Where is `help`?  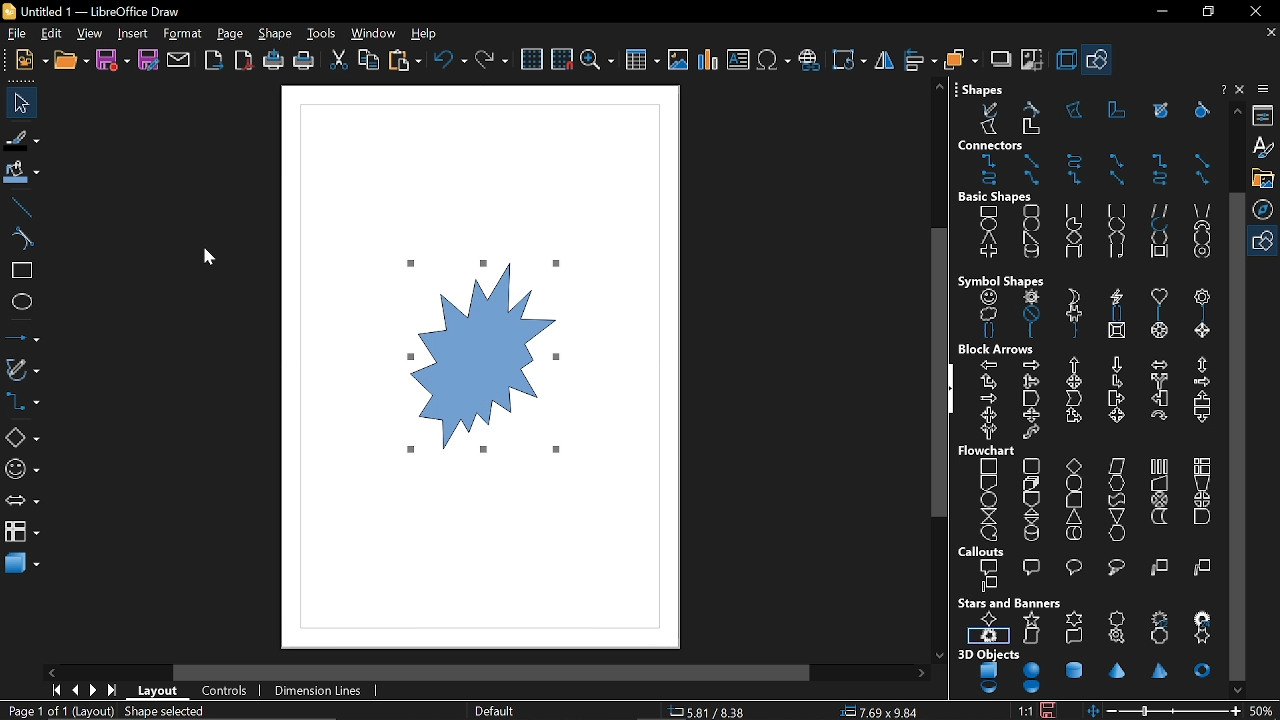 help is located at coordinates (426, 34).